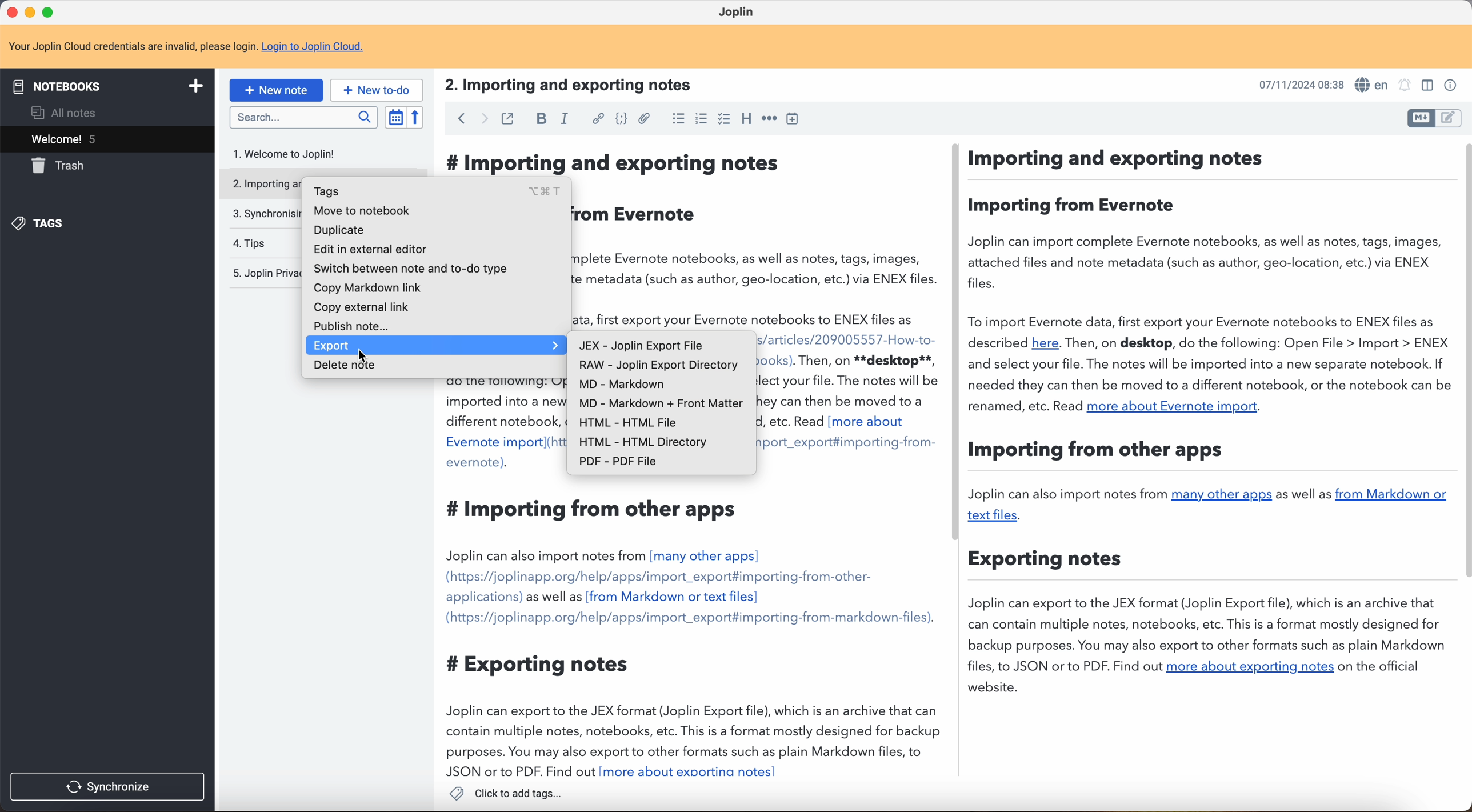 The height and width of the screenshot is (812, 1472). What do you see at coordinates (62, 166) in the screenshot?
I see `trash` at bounding box center [62, 166].